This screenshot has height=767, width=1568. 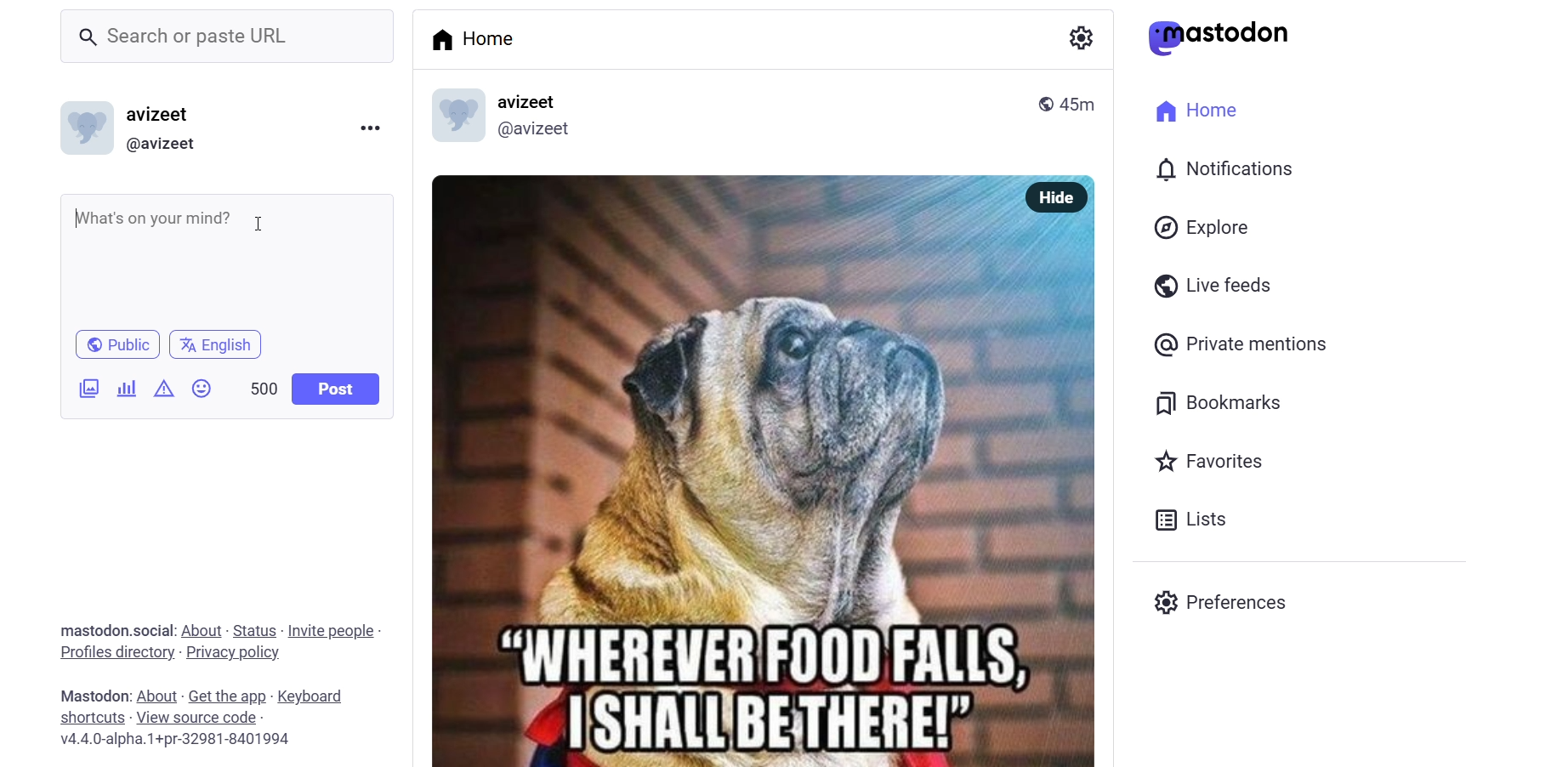 What do you see at coordinates (1213, 465) in the screenshot?
I see `Favorites` at bounding box center [1213, 465].